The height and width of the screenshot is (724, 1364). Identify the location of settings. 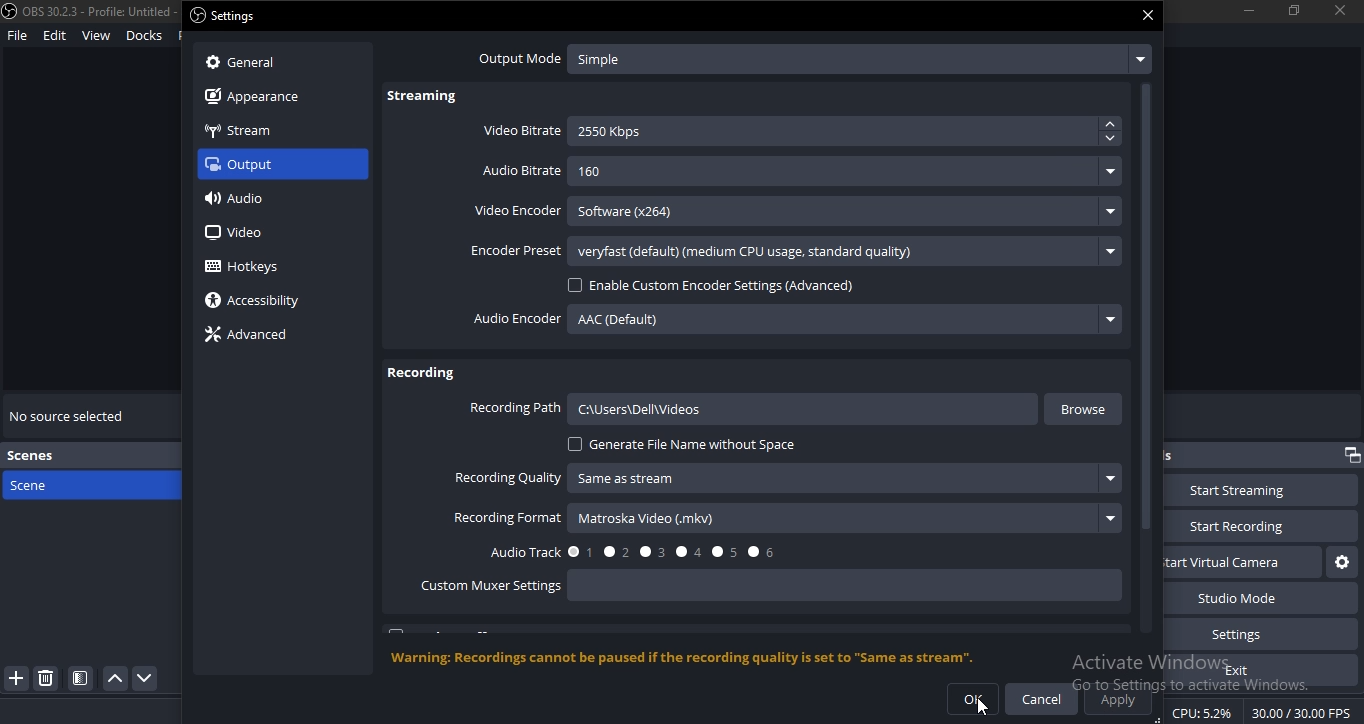
(1252, 633).